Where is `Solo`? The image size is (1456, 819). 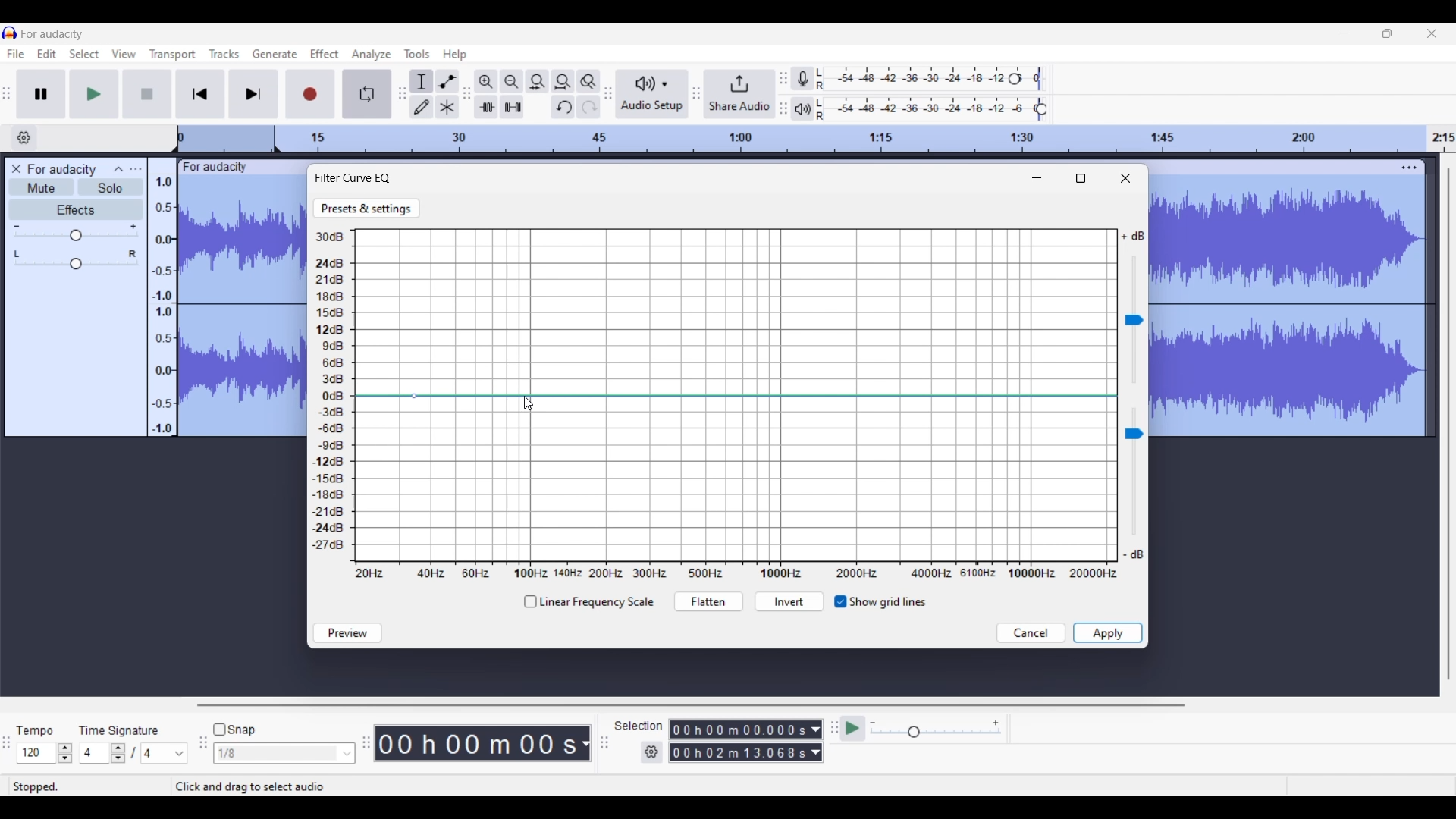 Solo is located at coordinates (111, 187).